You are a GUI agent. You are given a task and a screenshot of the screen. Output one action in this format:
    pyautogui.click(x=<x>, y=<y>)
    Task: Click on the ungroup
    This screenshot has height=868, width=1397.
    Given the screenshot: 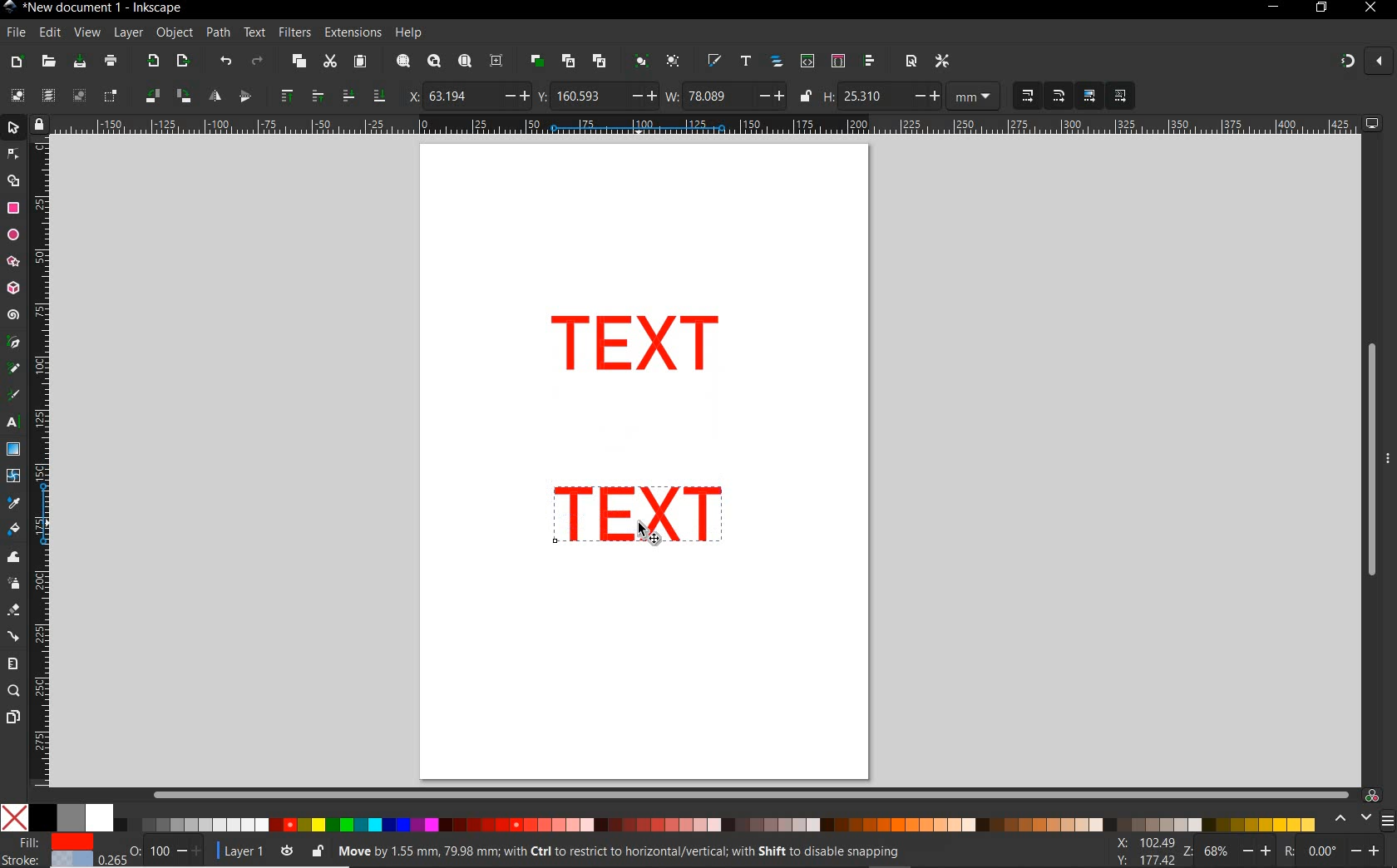 What is the action you would take?
    pyautogui.click(x=673, y=62)
    